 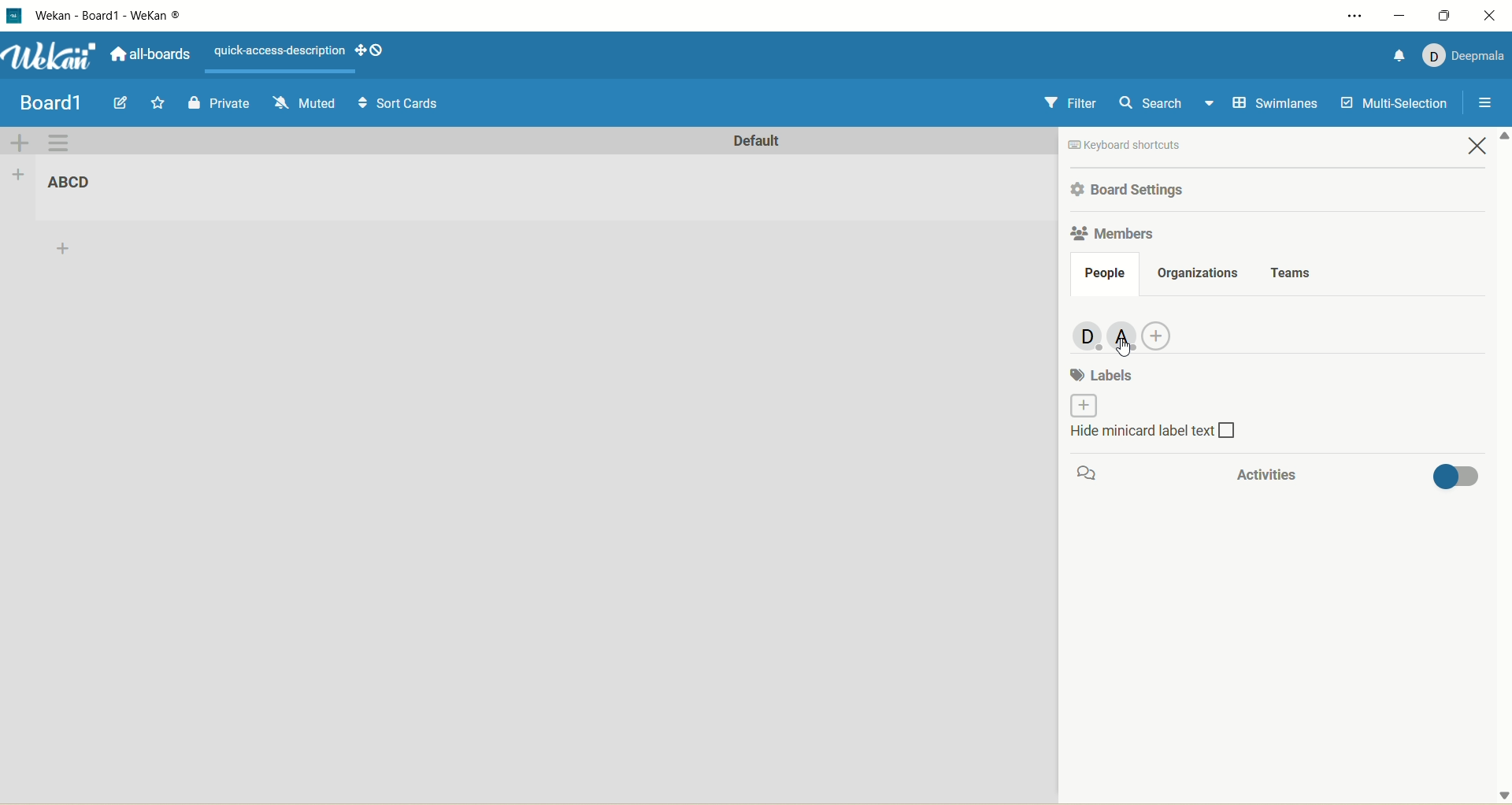 I want to click on add member, so click(x=1164, y=333).